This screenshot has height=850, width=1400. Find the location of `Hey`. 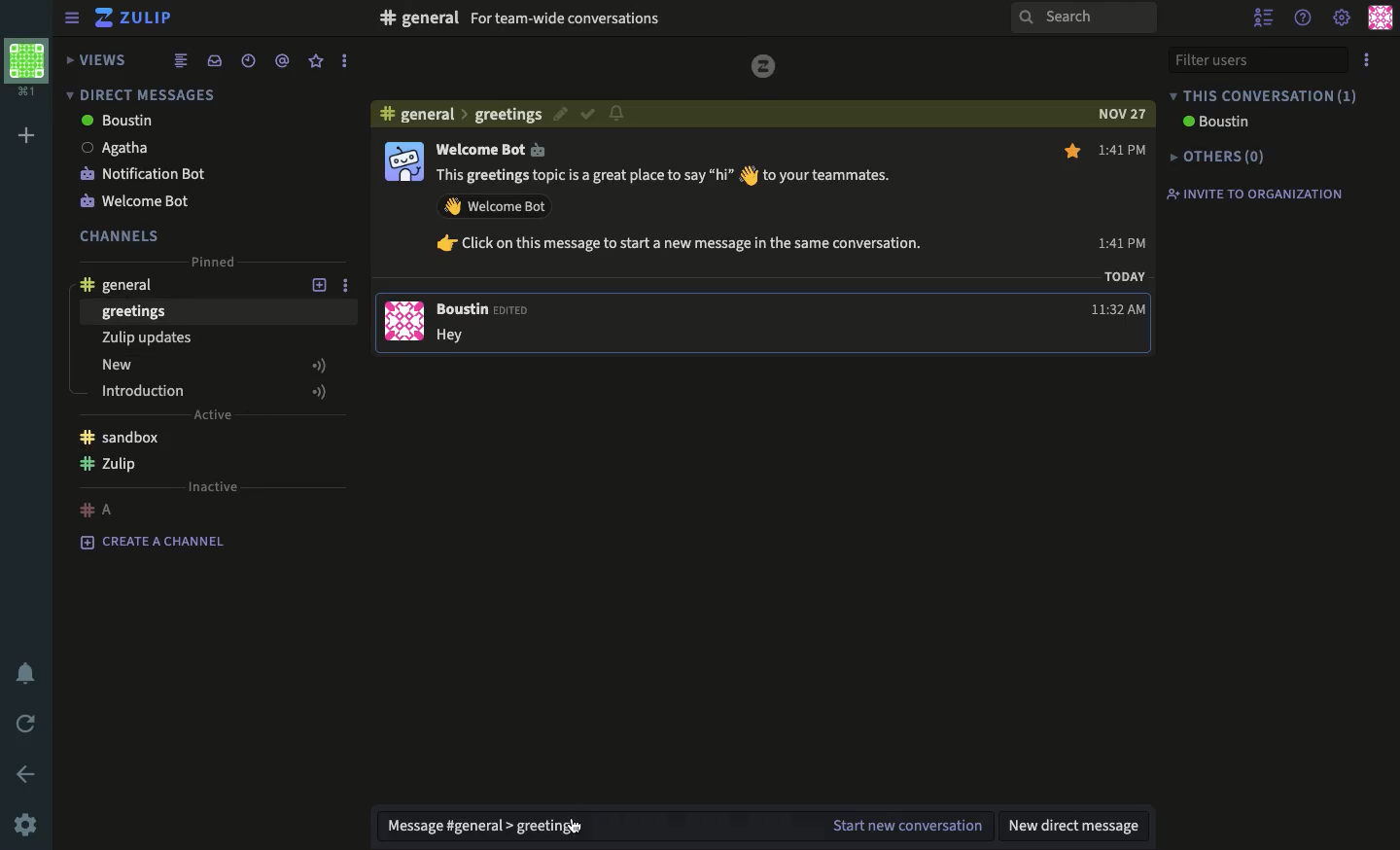

Hey is located at coordinates (460, 336).